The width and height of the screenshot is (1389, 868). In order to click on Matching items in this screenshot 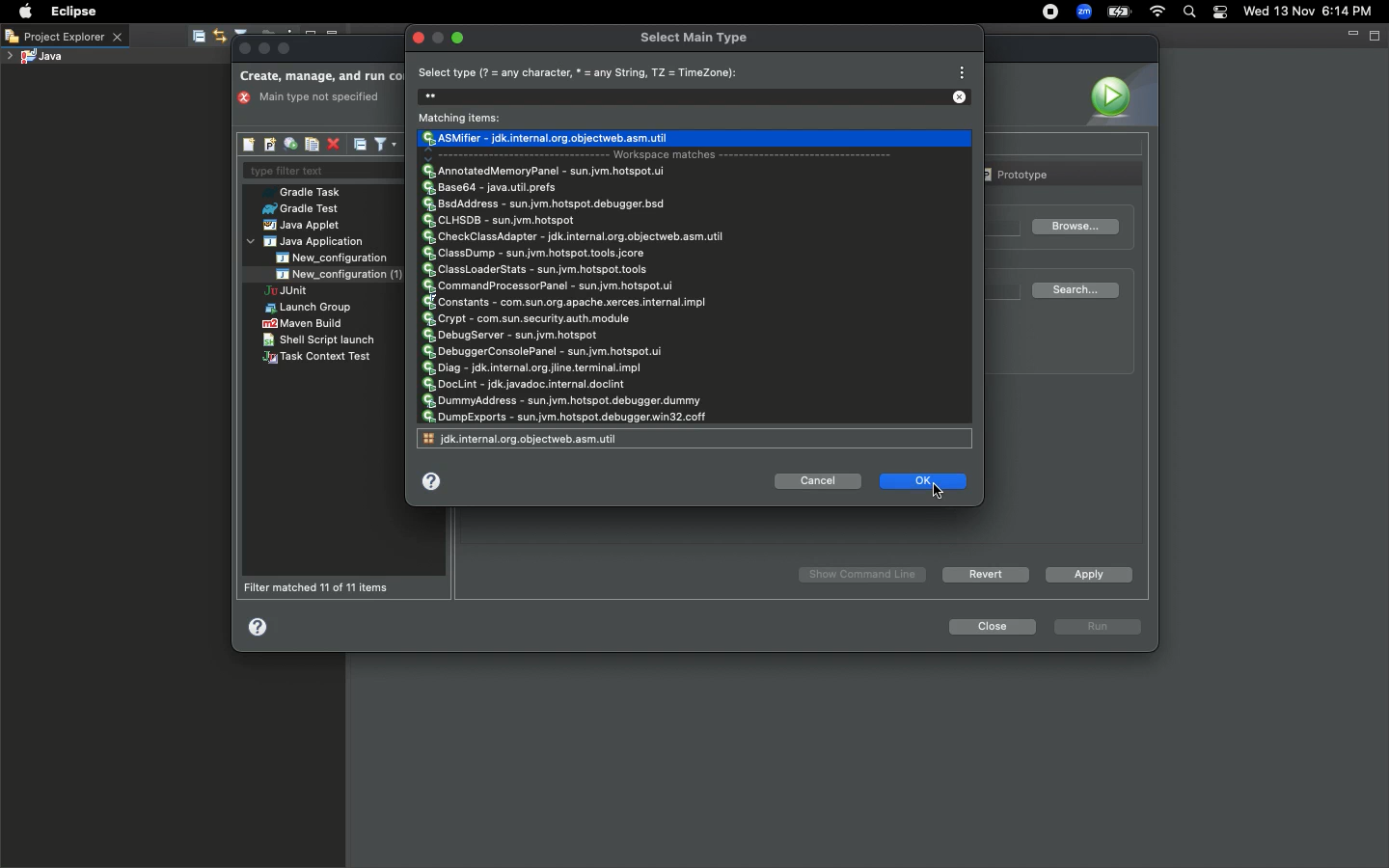, I will do `click(466, 119)`.